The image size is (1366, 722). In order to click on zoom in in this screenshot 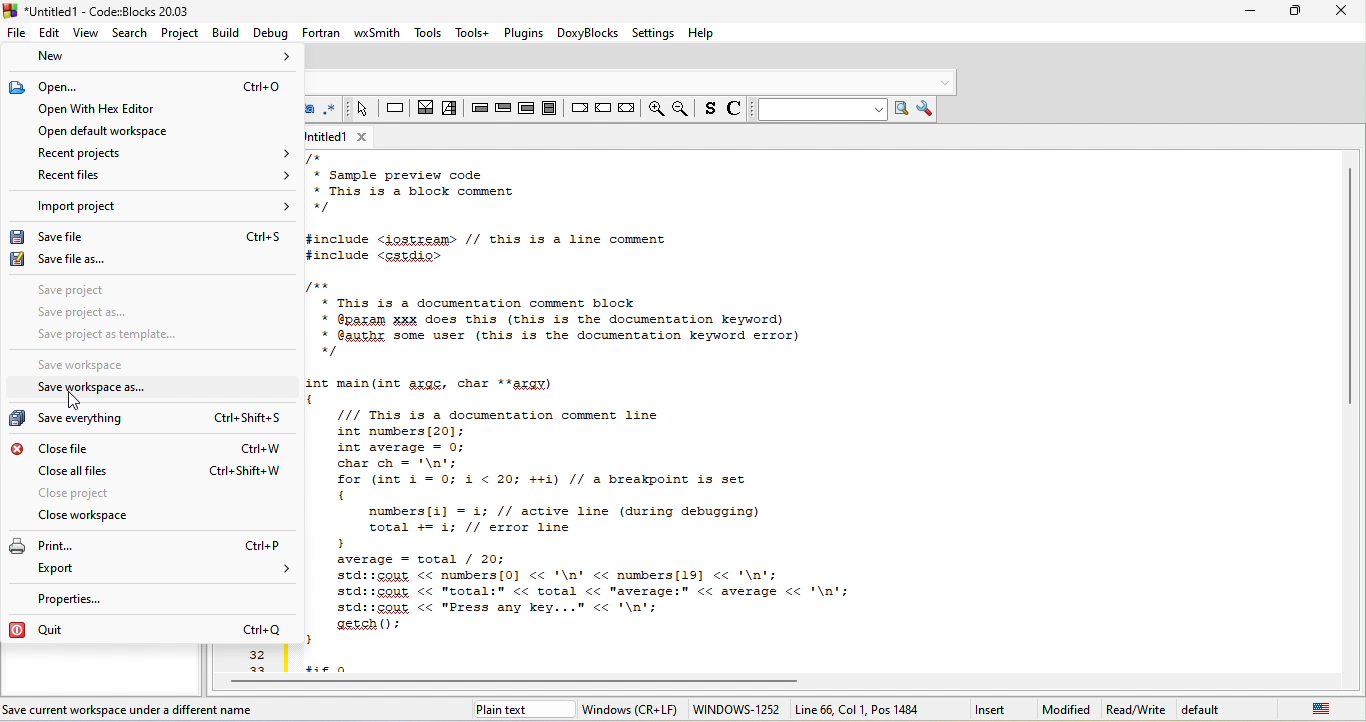, I will do `click(655, 108)`.